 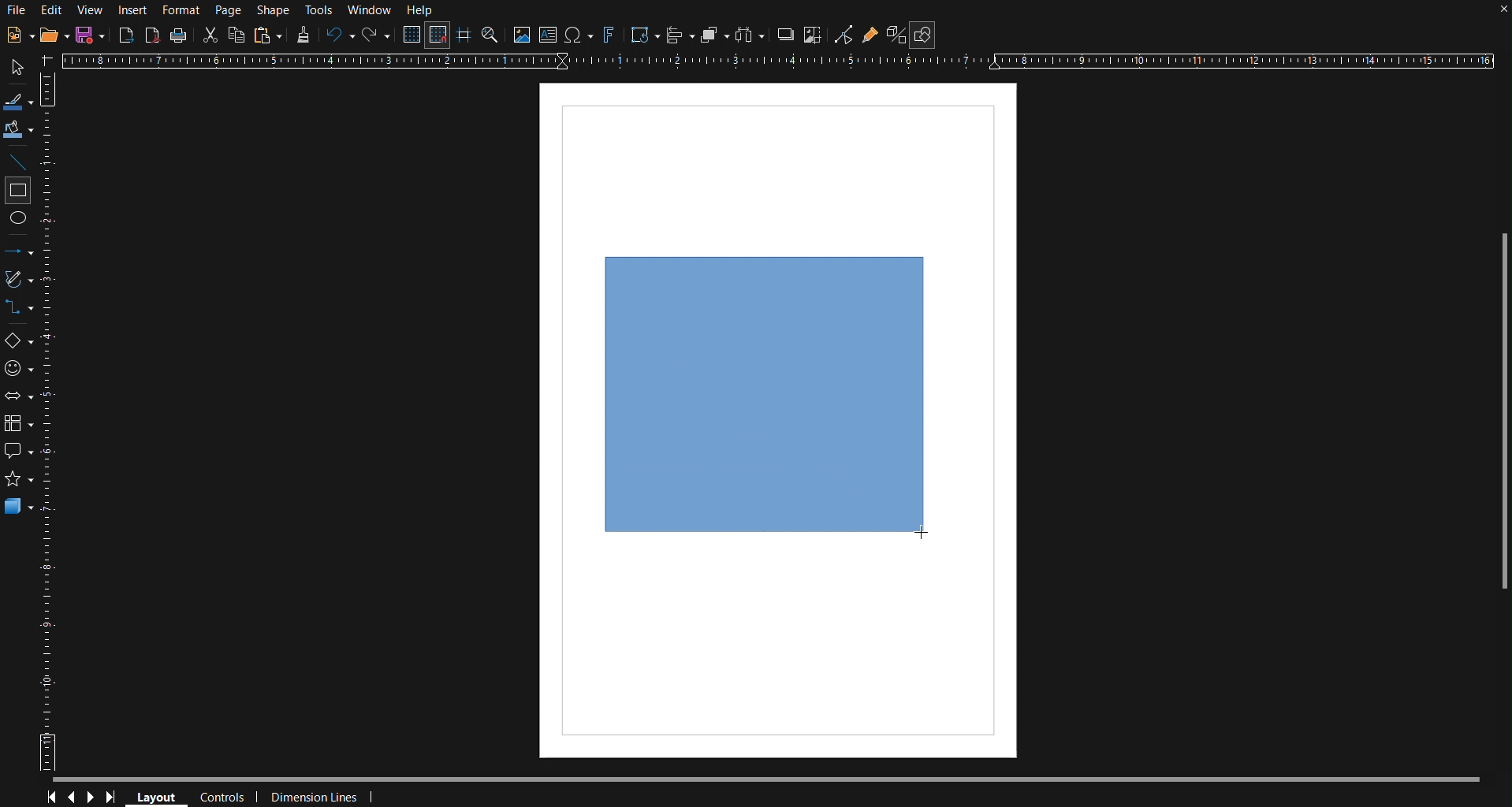 I want to click on New, so click(x=19, y=34).